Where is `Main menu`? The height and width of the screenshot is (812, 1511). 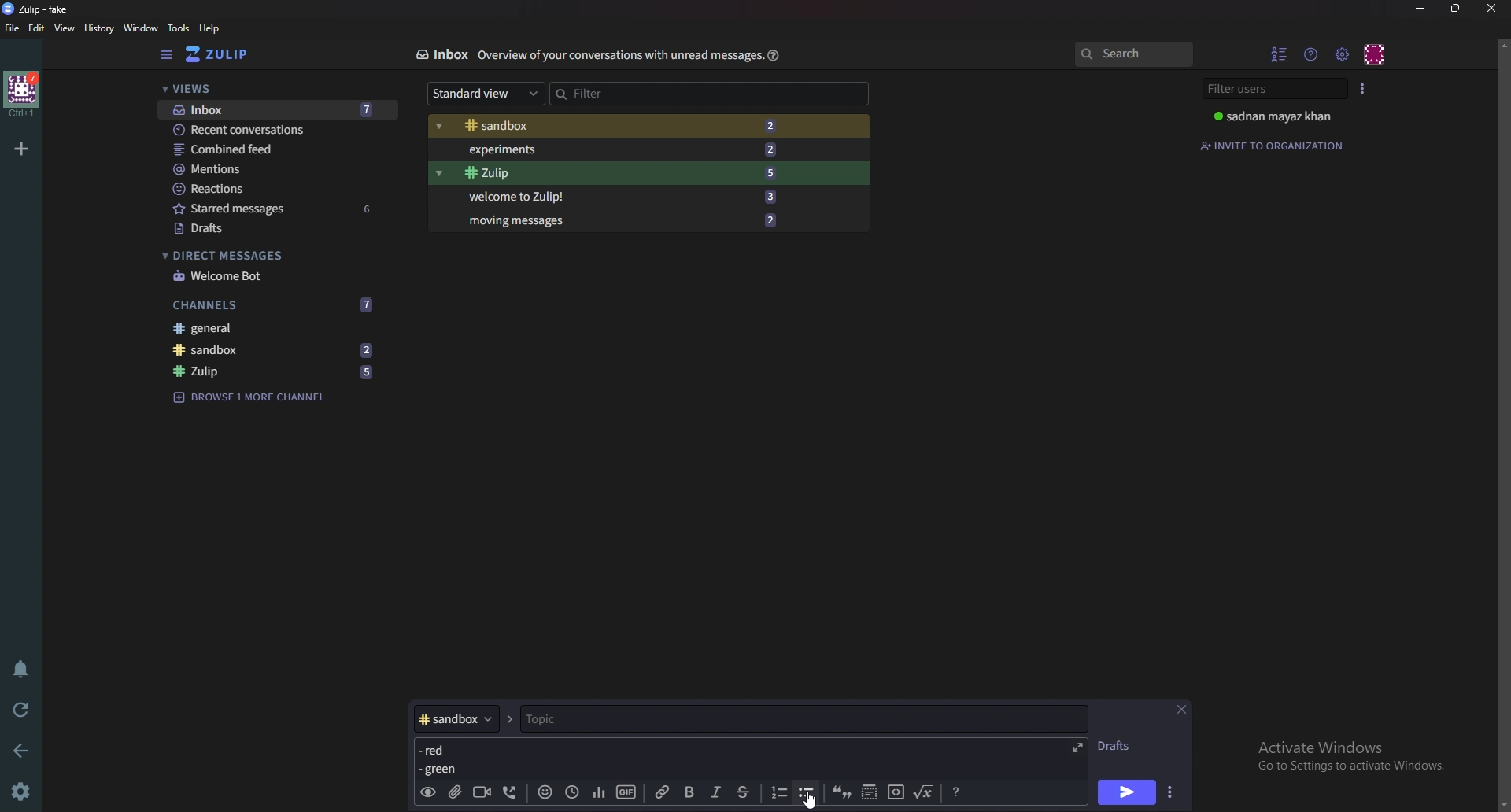 Main menu is located at coordinates (1342, 55).